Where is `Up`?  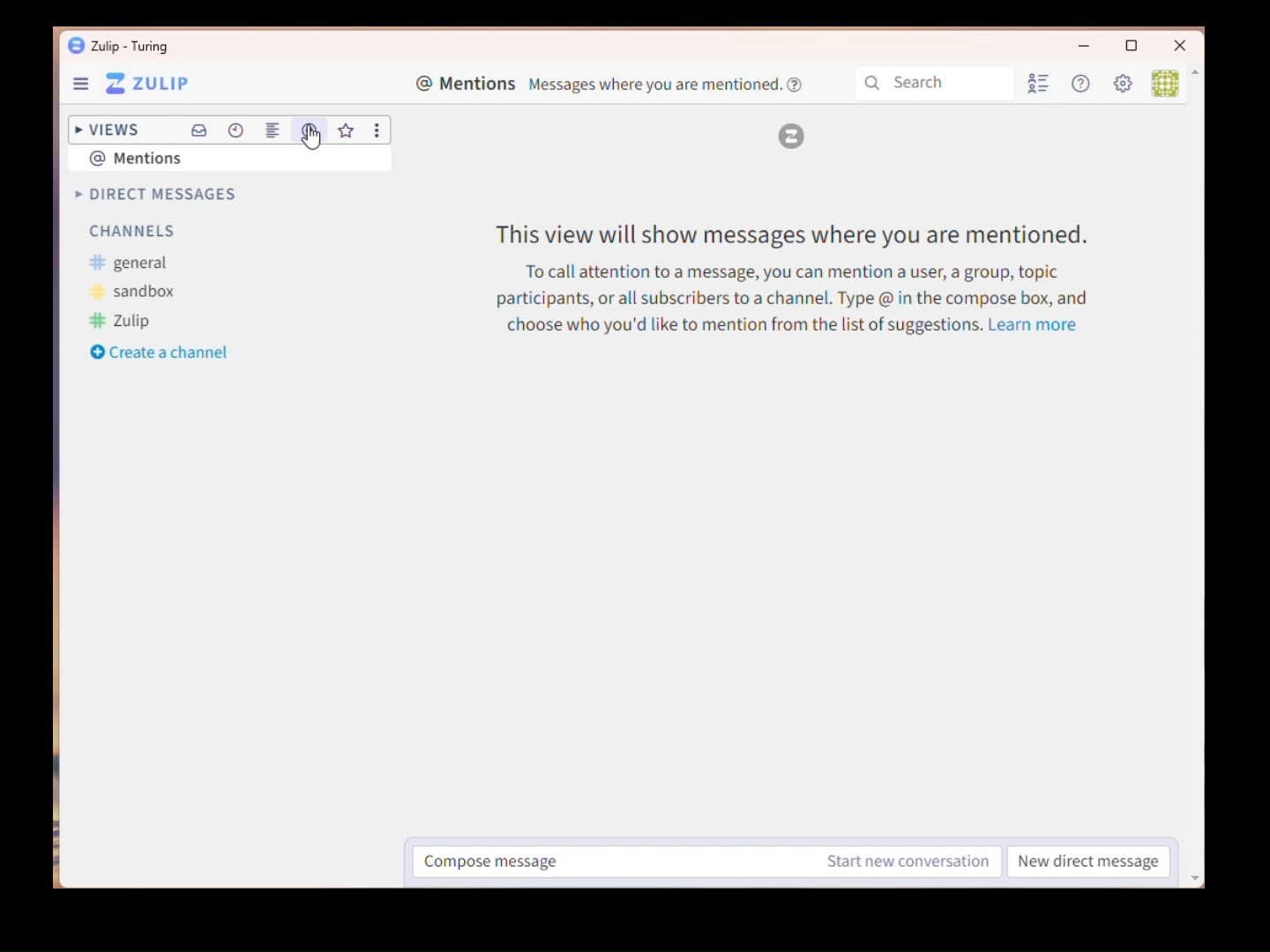
Up is located at coordinates (1197, 79).